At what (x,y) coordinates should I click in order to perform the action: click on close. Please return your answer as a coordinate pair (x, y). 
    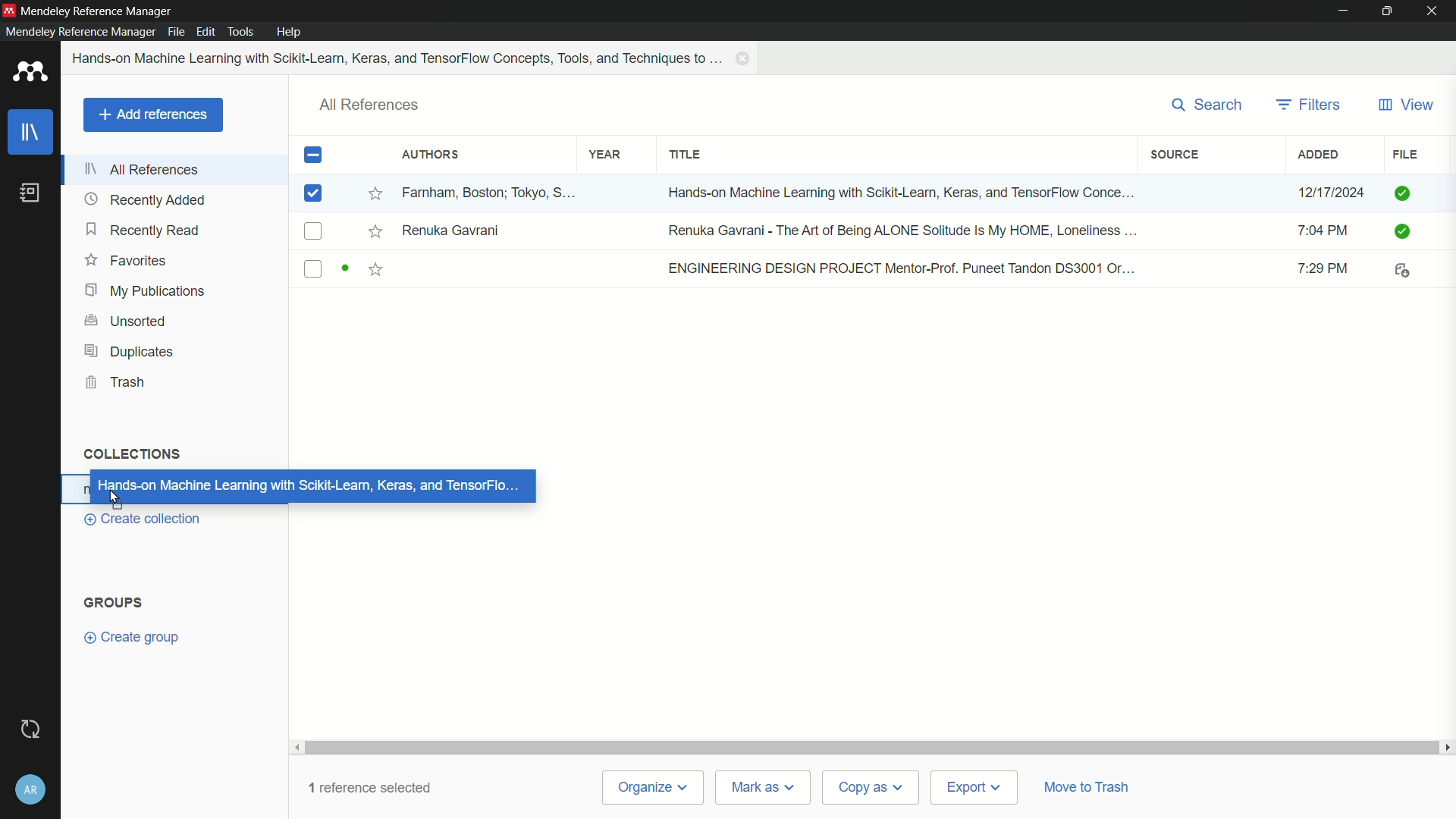
    Looking at the image, I should click on (1436, 11).